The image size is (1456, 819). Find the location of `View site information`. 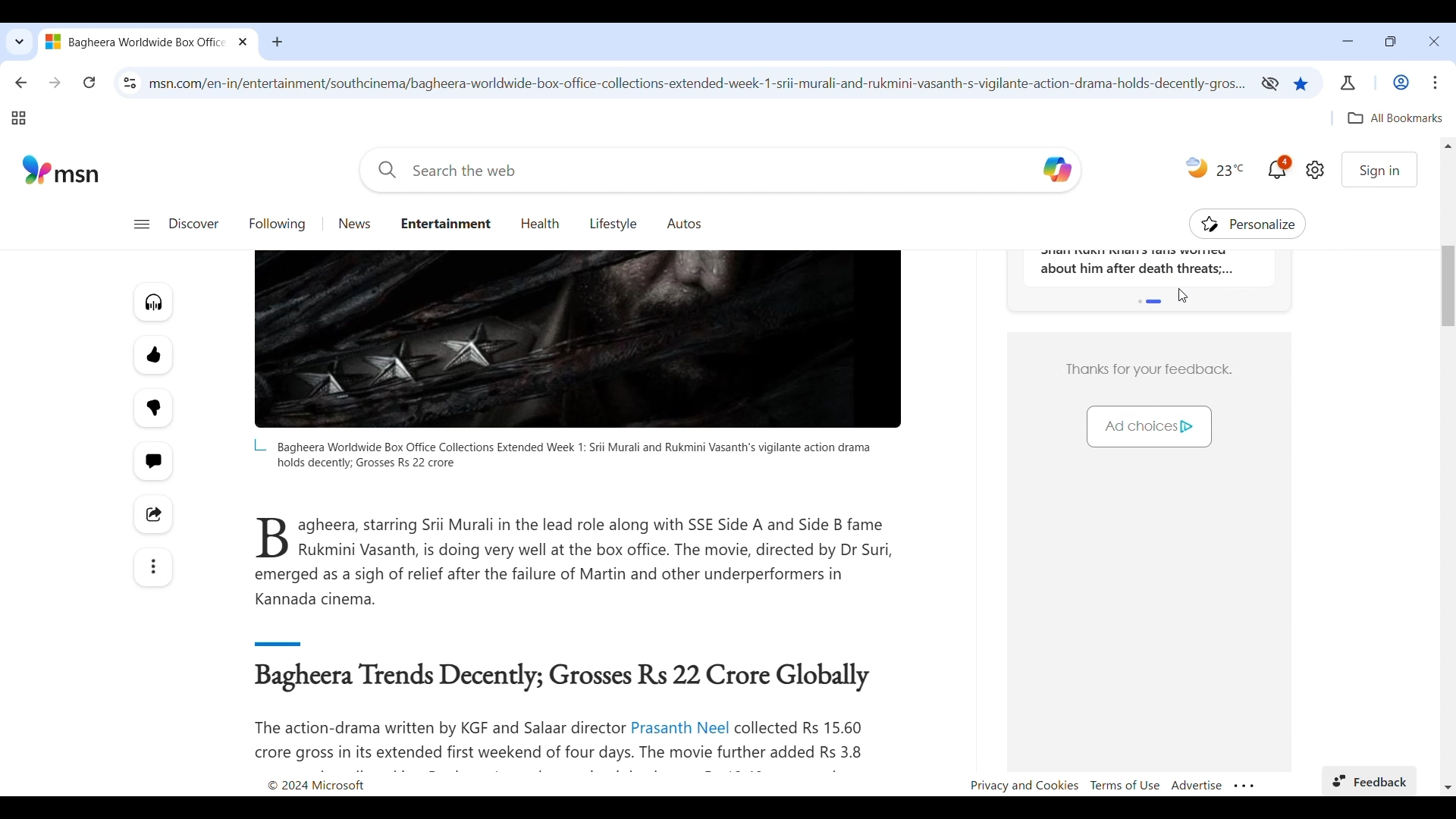

View site information is located at coordinates (130, 83).